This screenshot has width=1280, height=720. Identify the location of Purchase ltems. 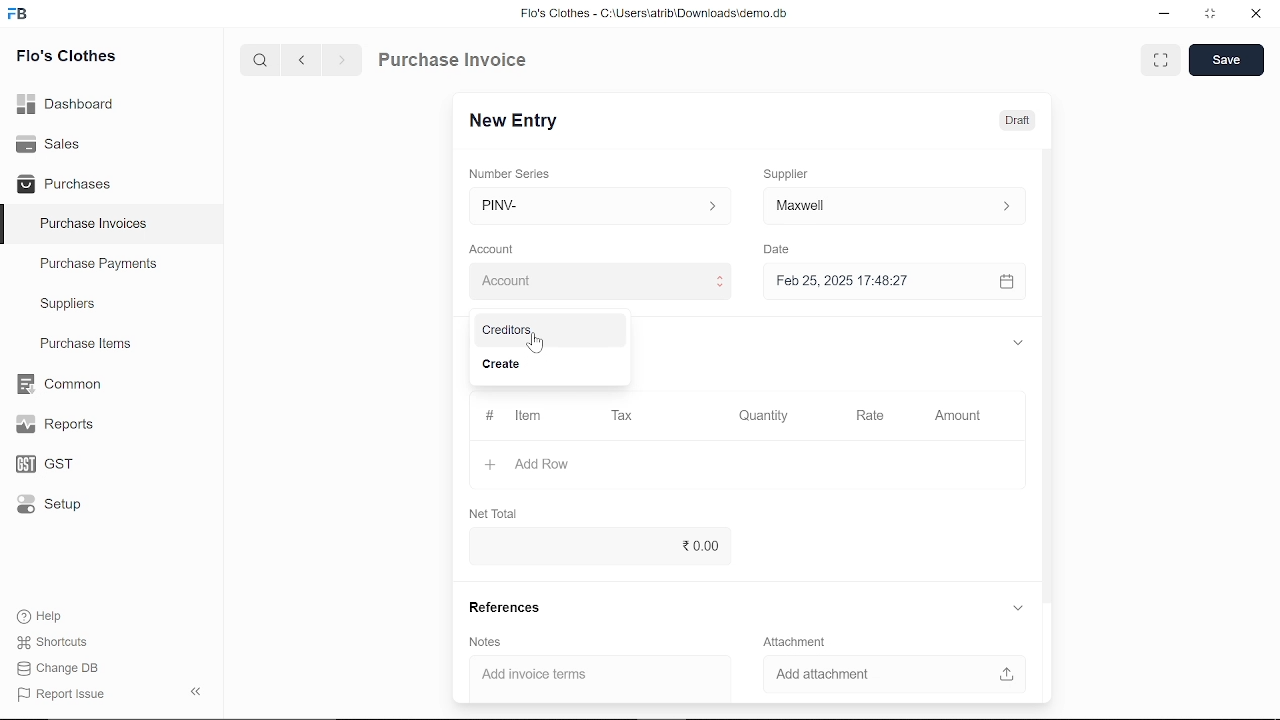
(83, 345).